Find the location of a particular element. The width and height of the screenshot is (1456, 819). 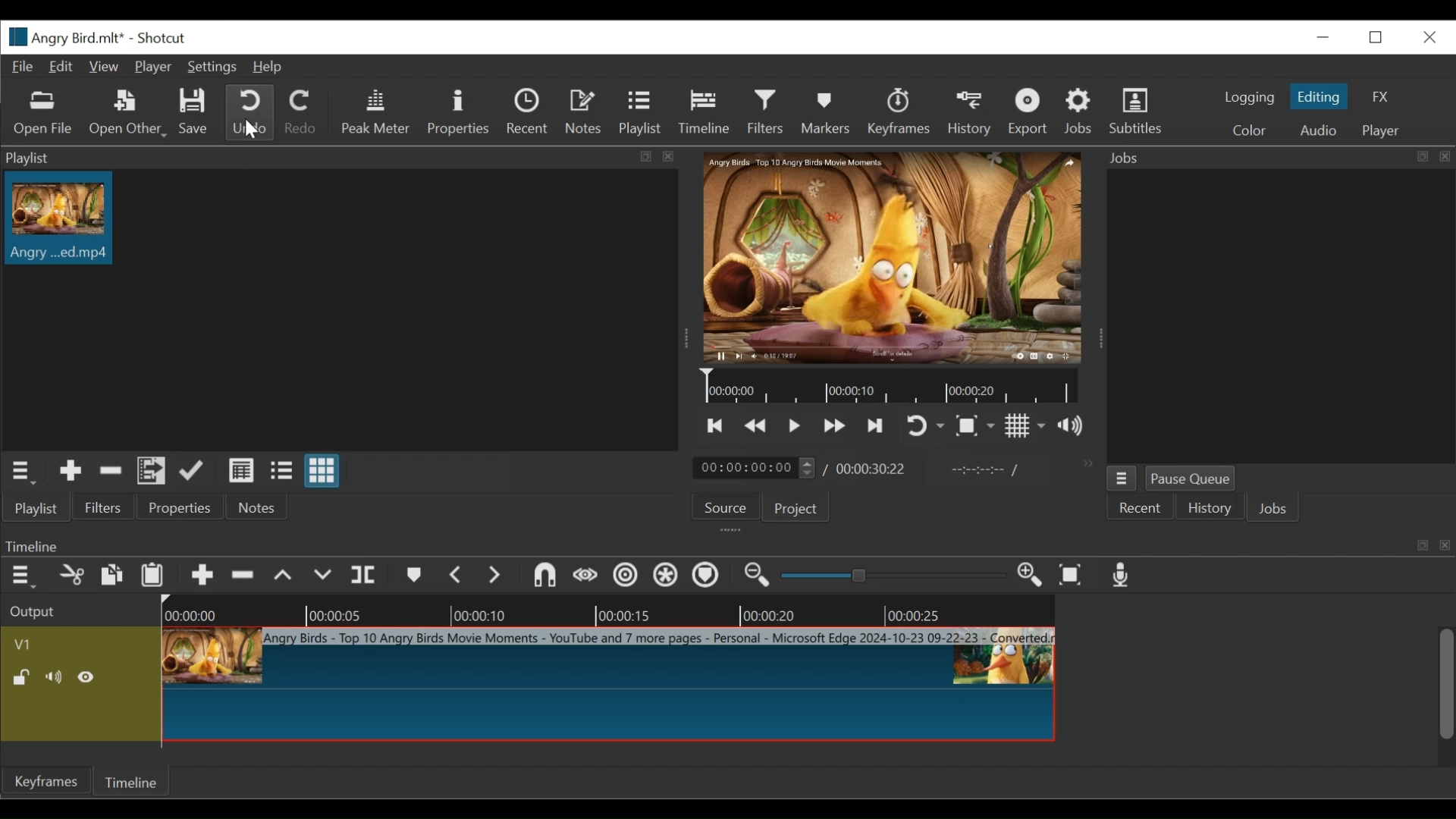

cut is located at coordinates (70, 575).